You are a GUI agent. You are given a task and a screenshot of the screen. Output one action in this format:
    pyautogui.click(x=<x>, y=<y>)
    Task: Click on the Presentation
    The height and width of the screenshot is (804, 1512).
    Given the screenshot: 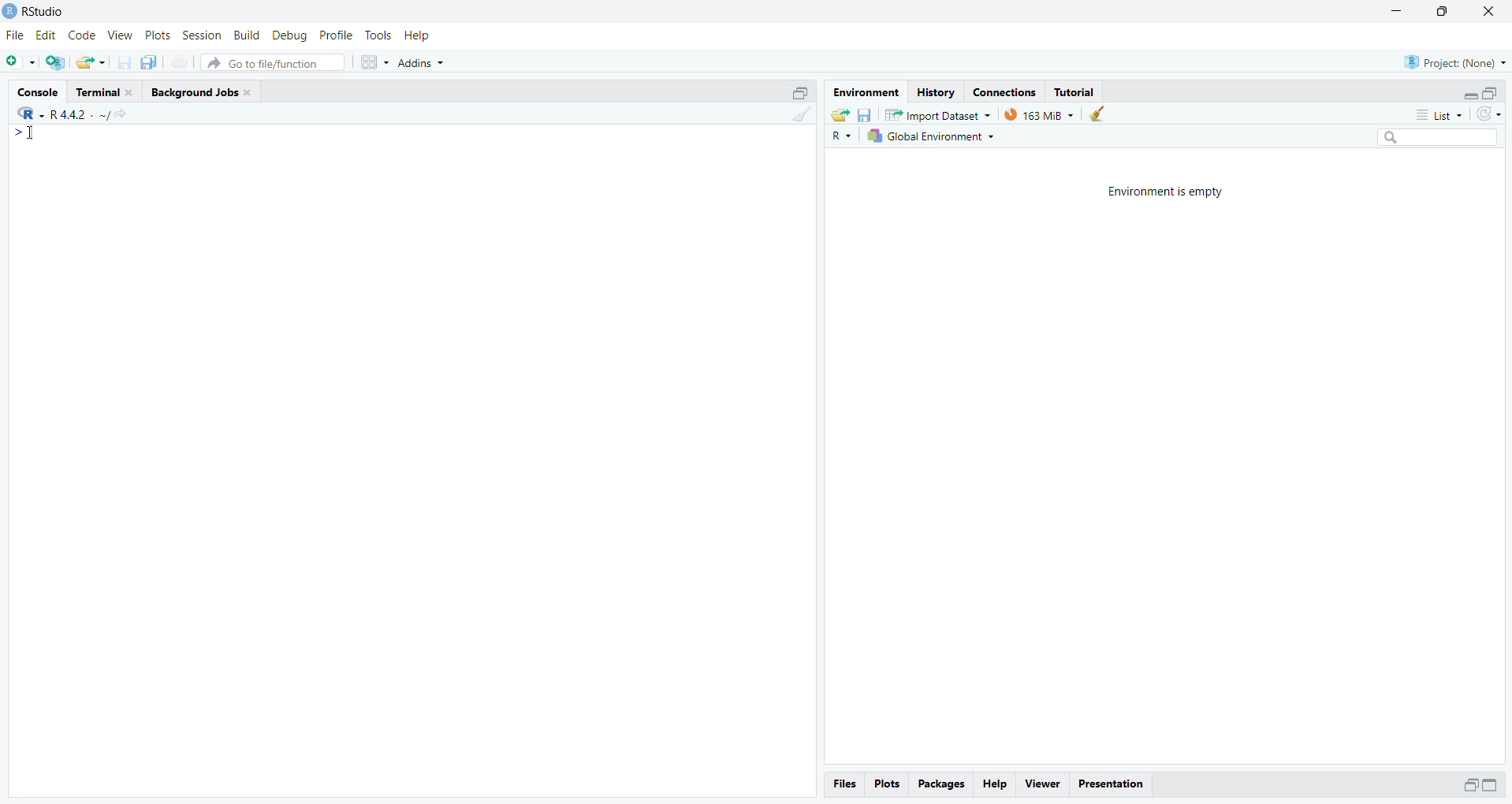 What is the action you would take?
    pyautogui.click(x=1111, y=785)
    